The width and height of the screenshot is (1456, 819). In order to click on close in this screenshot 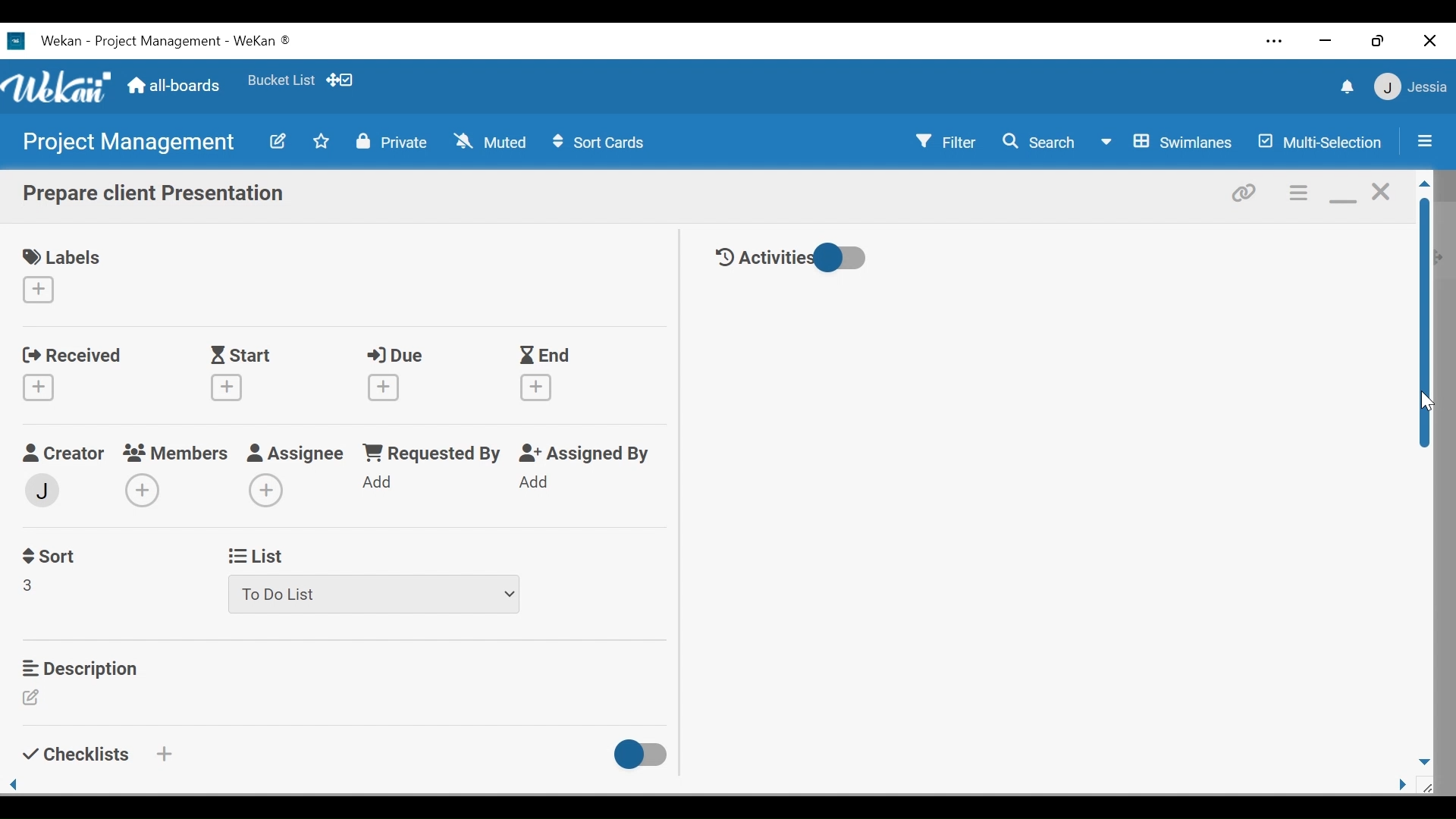, I will do `click(1429, 41)`.